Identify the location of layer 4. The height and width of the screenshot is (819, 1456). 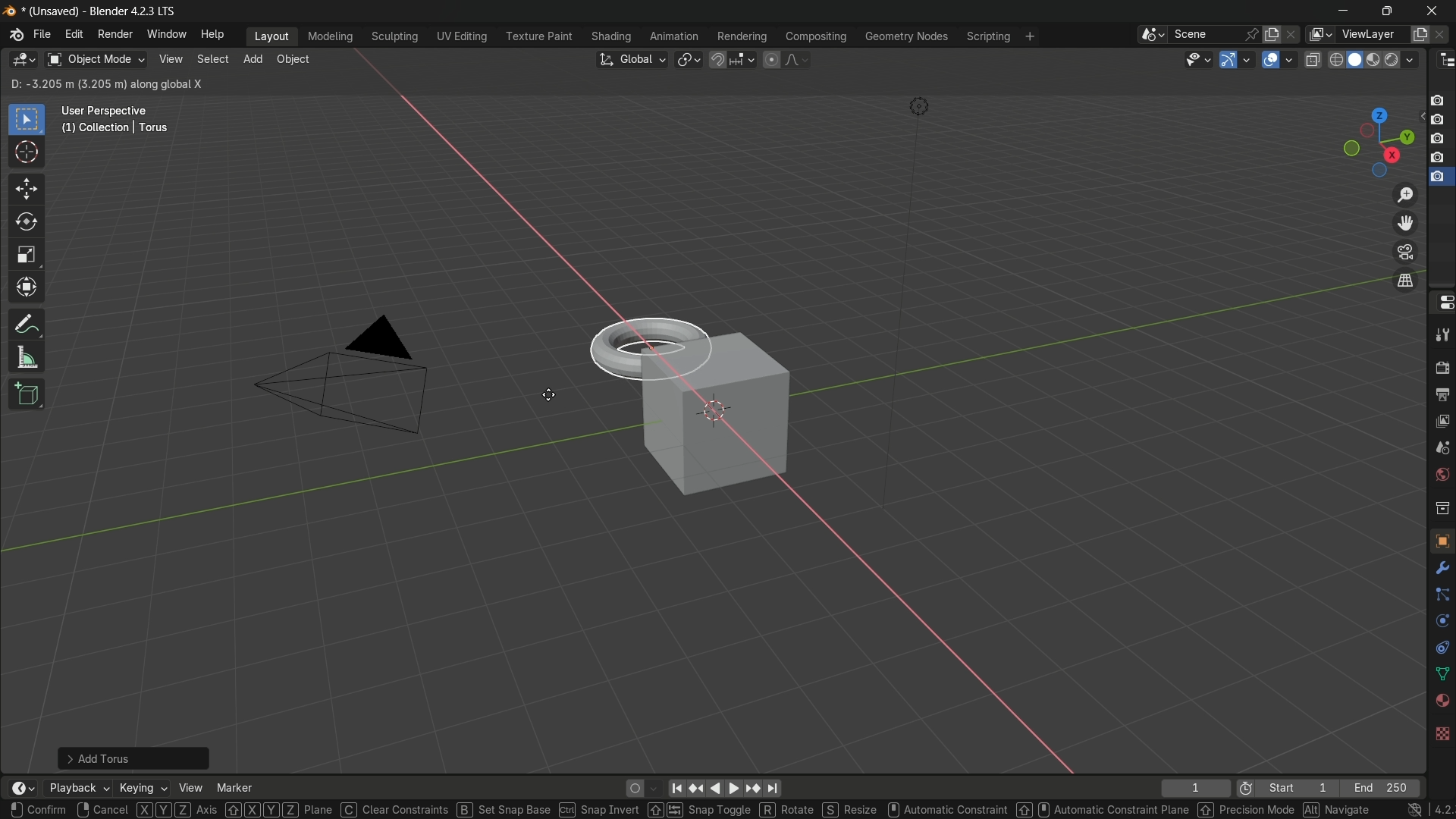
(1439, 158).